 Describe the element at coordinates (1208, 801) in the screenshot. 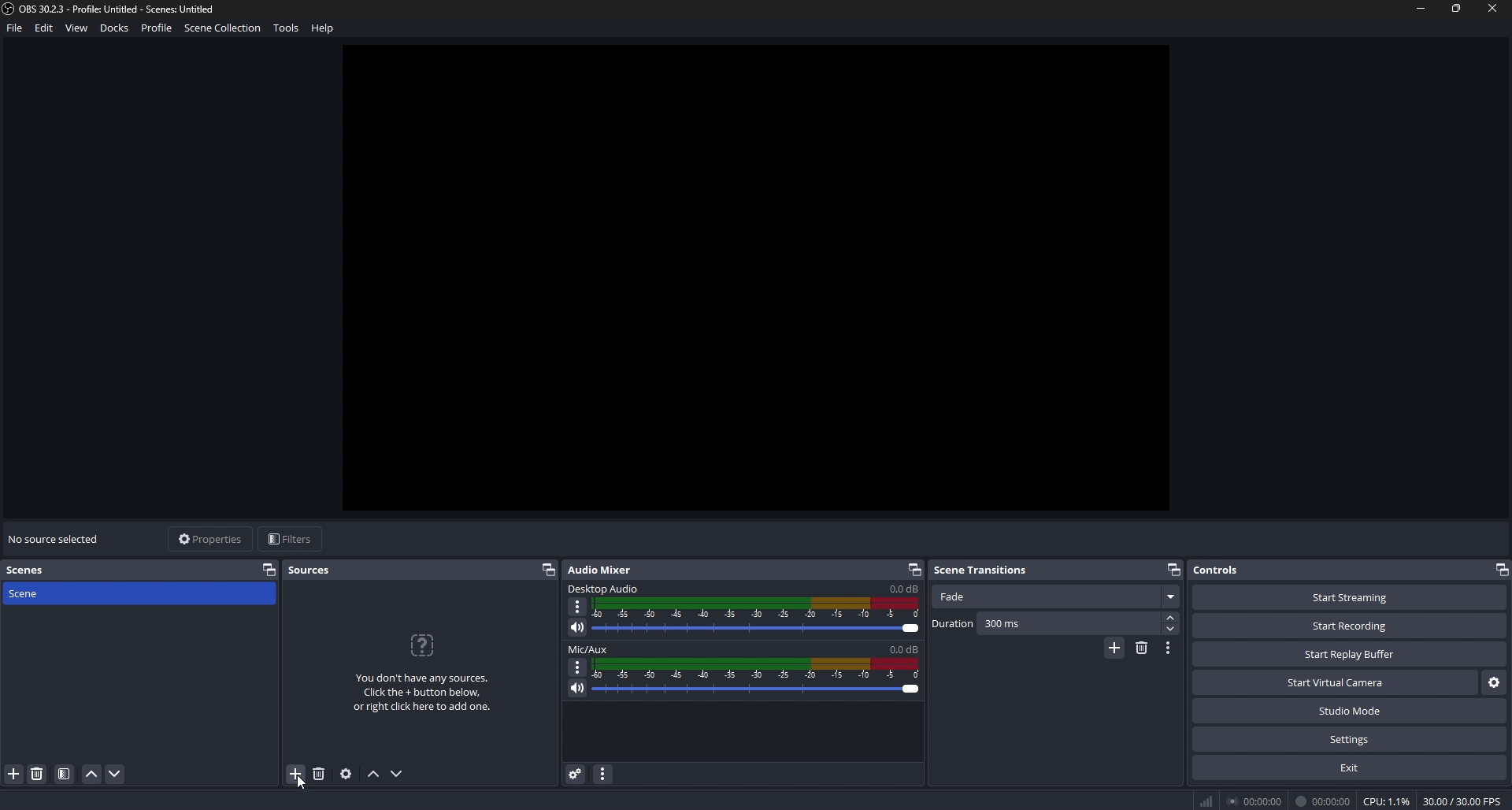

I see `network` at that location.